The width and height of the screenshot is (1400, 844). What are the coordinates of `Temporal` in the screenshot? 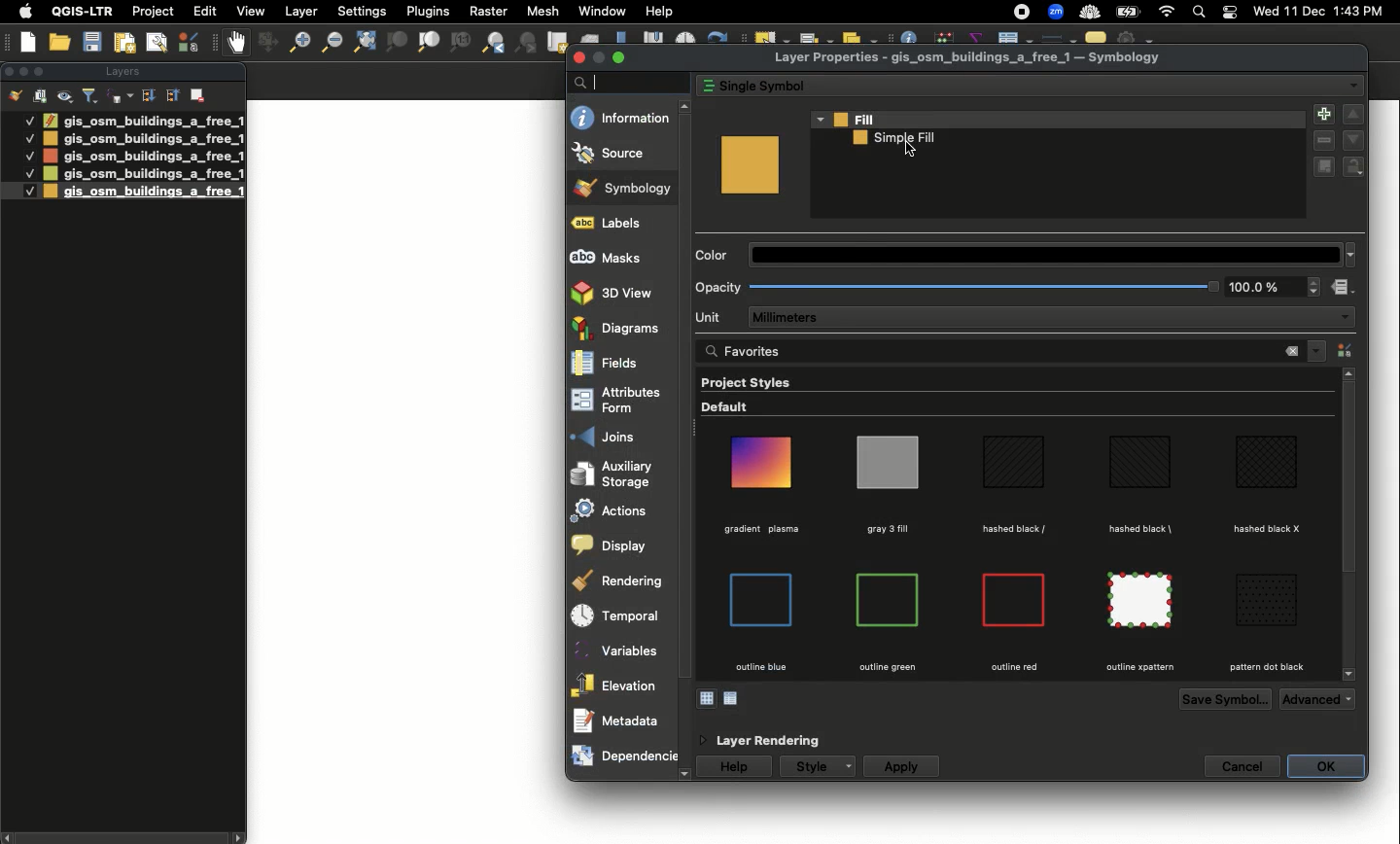 It's located at (622, 616).